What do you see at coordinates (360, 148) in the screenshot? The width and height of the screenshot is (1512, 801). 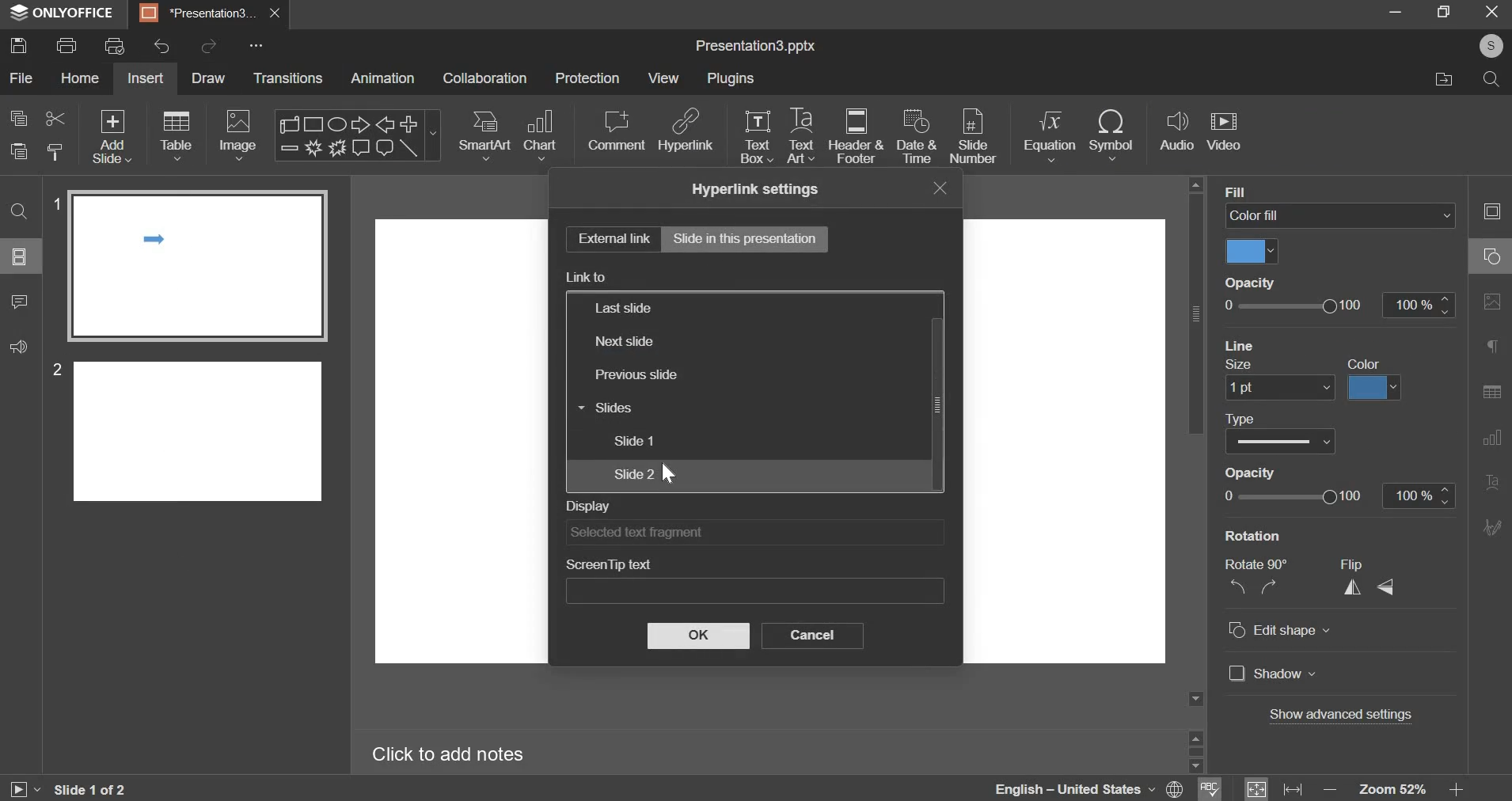 I see `rectangular callout` at bounding box center [360, 148].